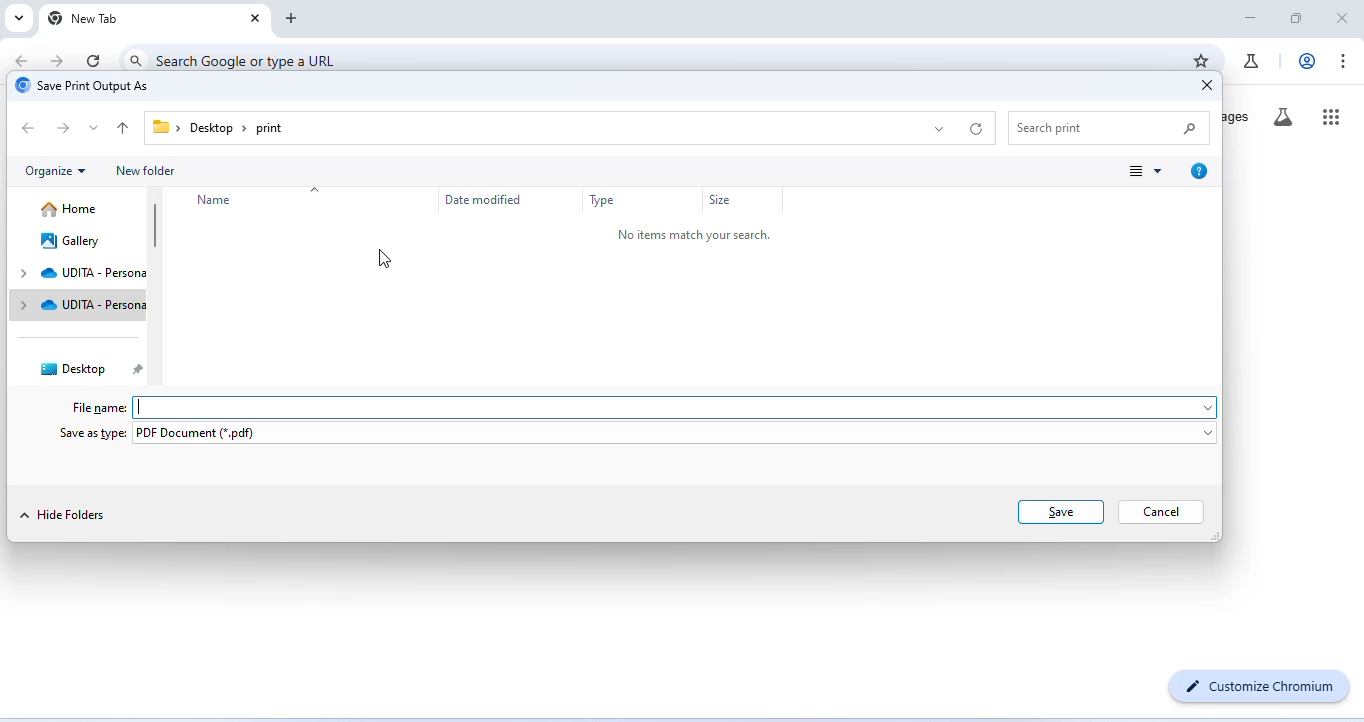 The height and width of the screenshot is (722, 1364). I want to click on hide folders, so click(63, 515).